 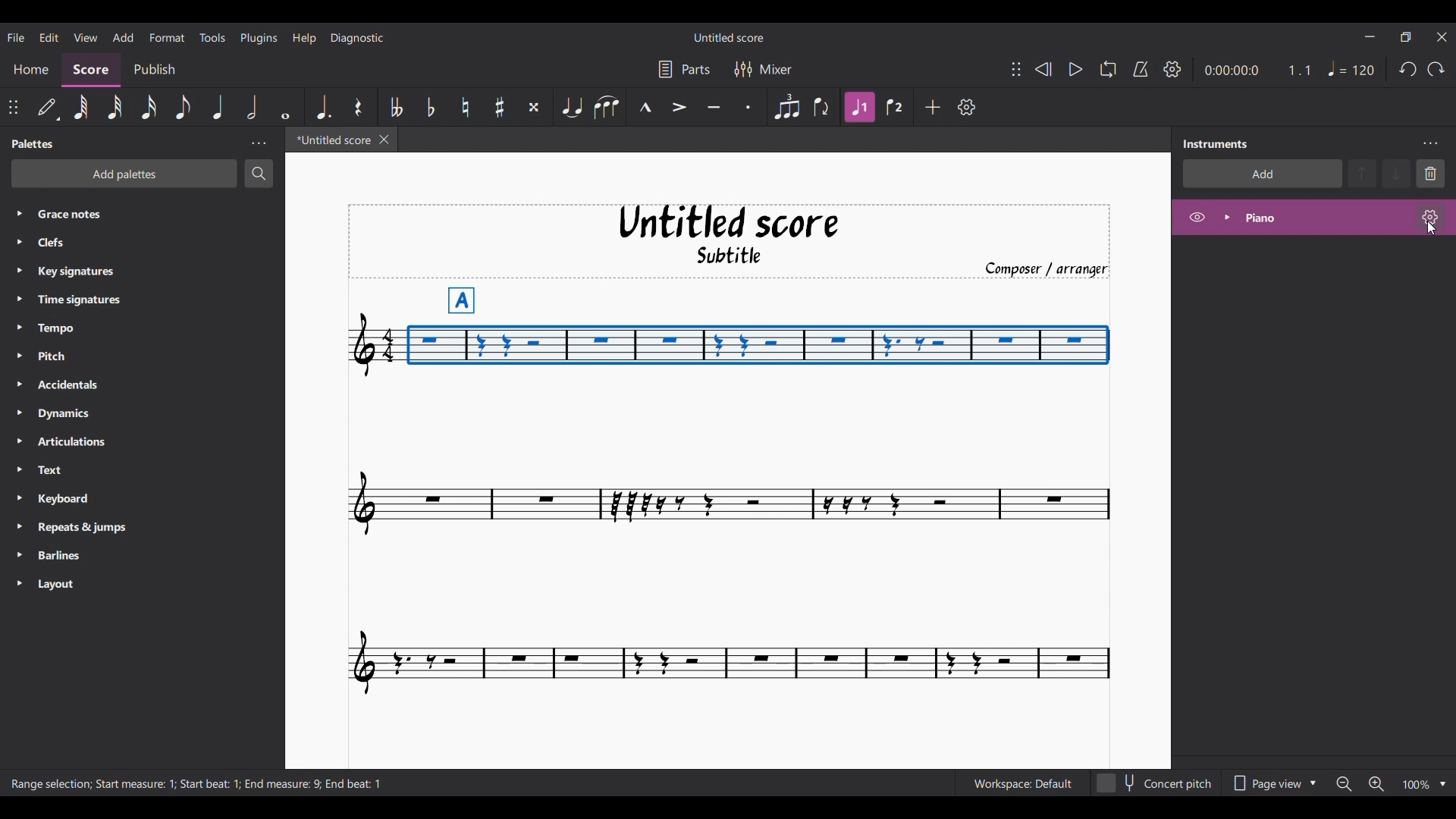 I want to click on Show in a smaller interface, so click(x=1405, y=37).